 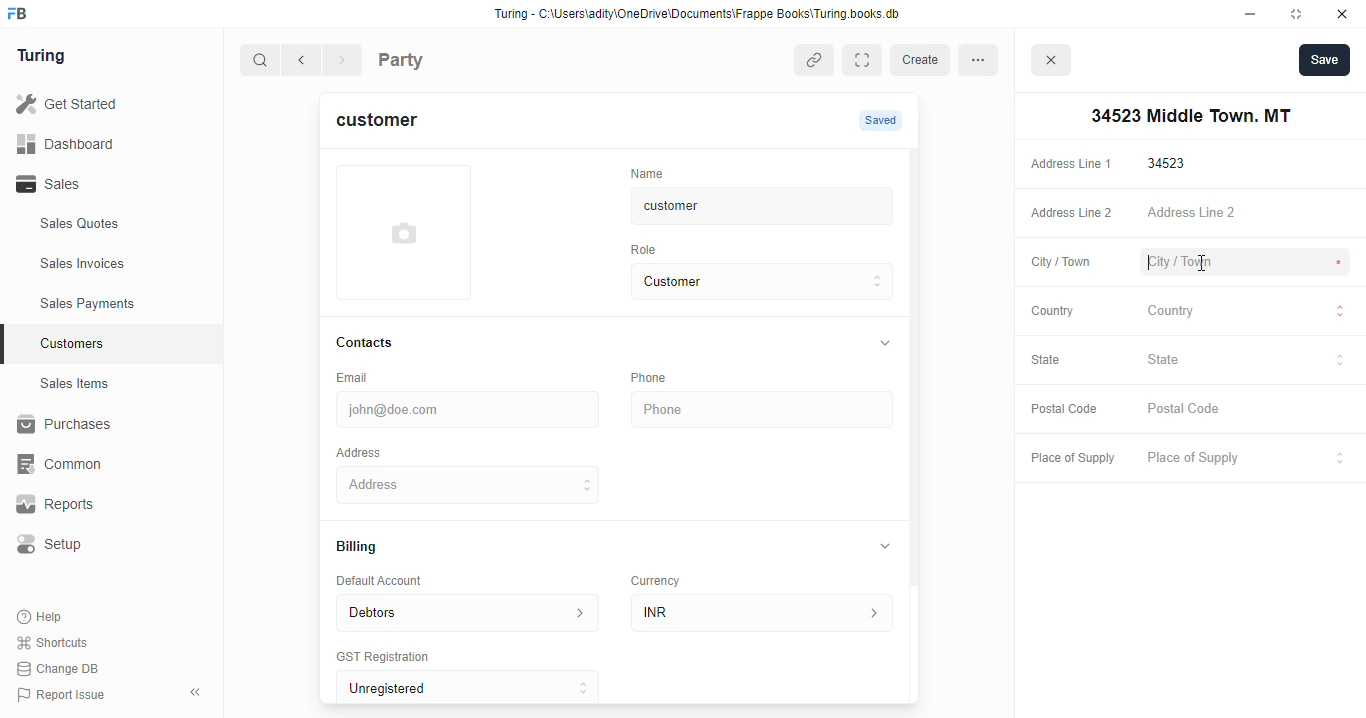 I want to click on ‘Common, so click(x=100, y=464).